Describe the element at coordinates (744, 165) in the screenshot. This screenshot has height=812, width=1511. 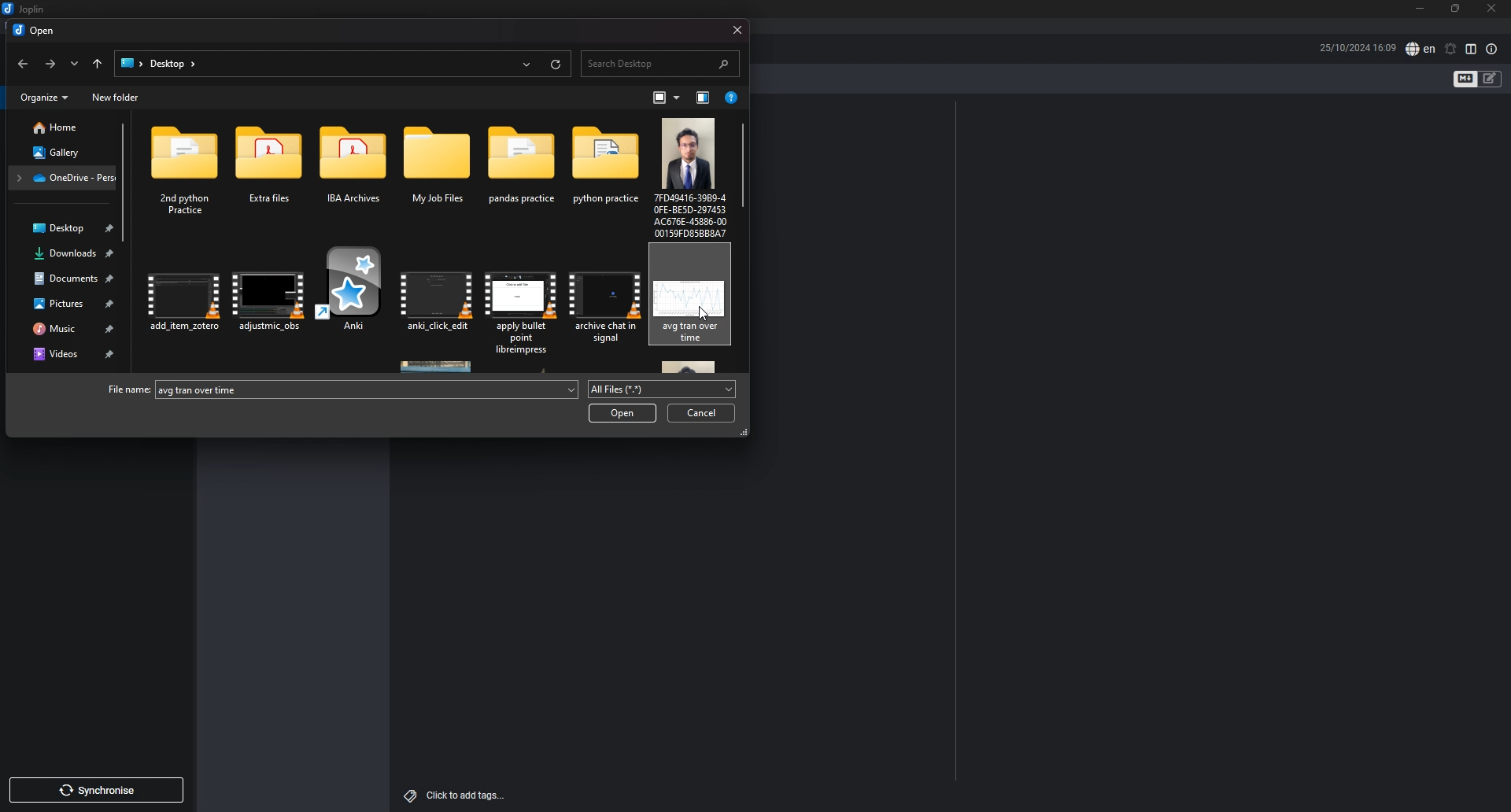
I see `scroll bar` at that location.